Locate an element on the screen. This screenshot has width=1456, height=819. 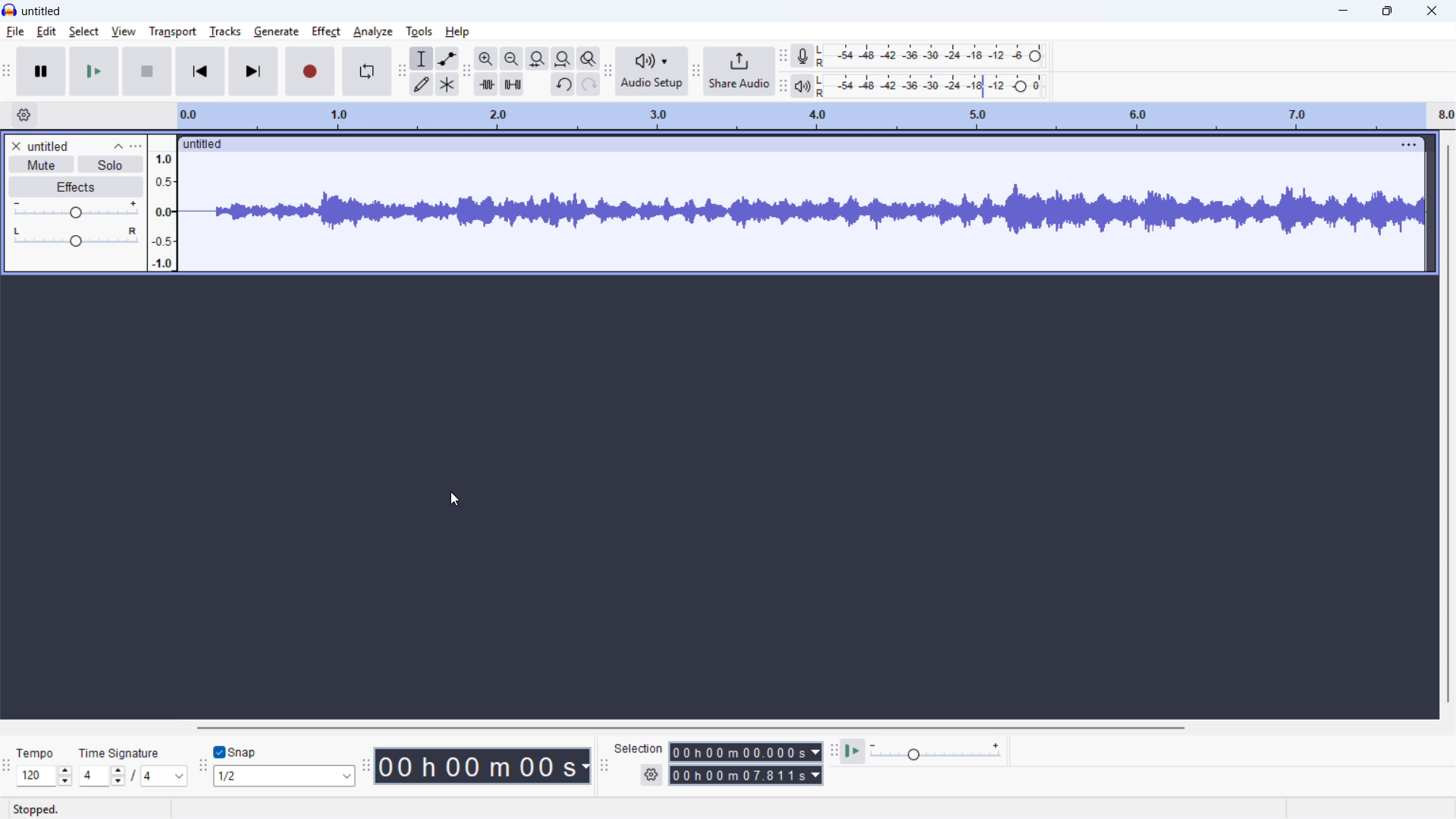
effect is located at coordinates (327, 30).